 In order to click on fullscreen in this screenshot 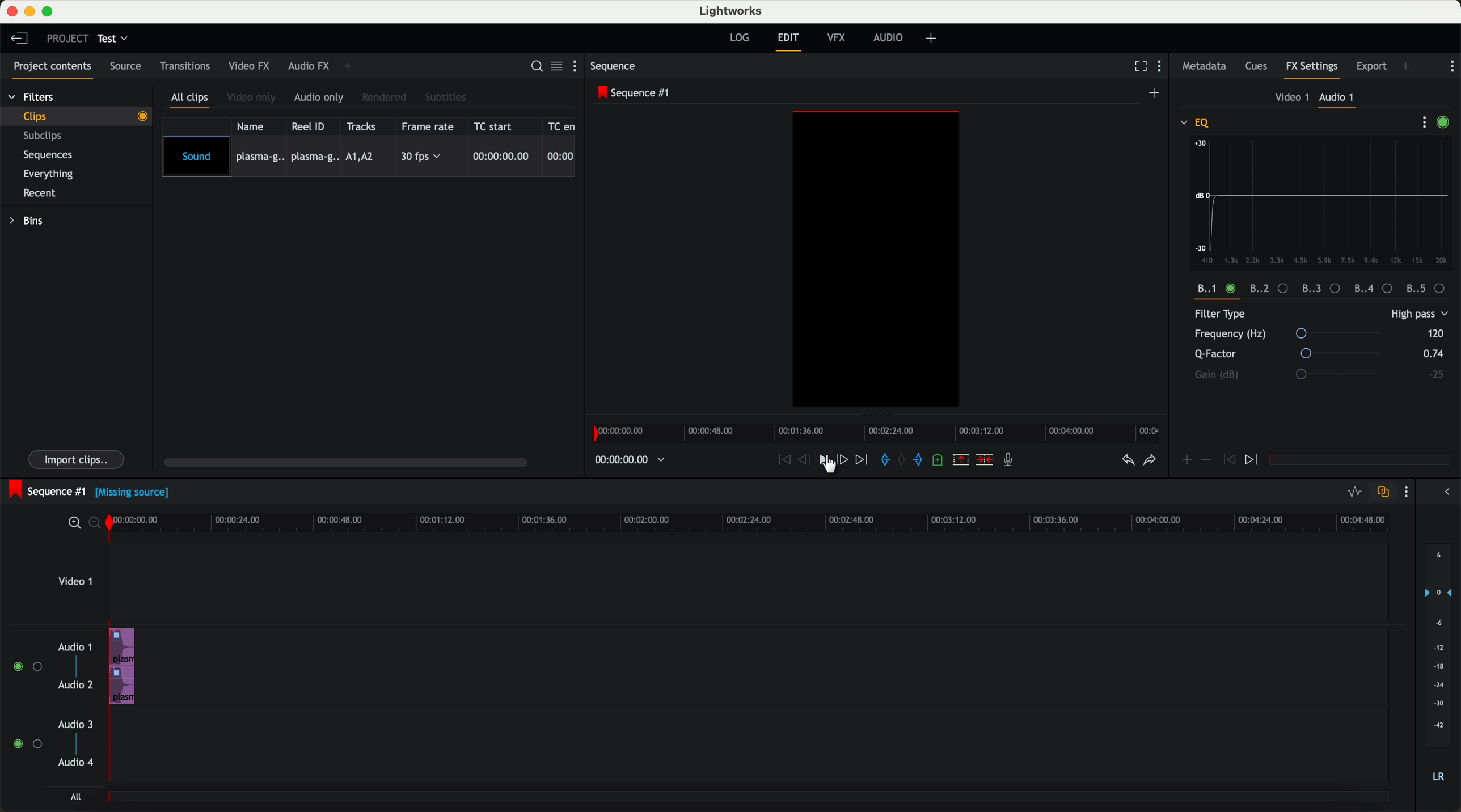, I will do `click(1138, 67)`.